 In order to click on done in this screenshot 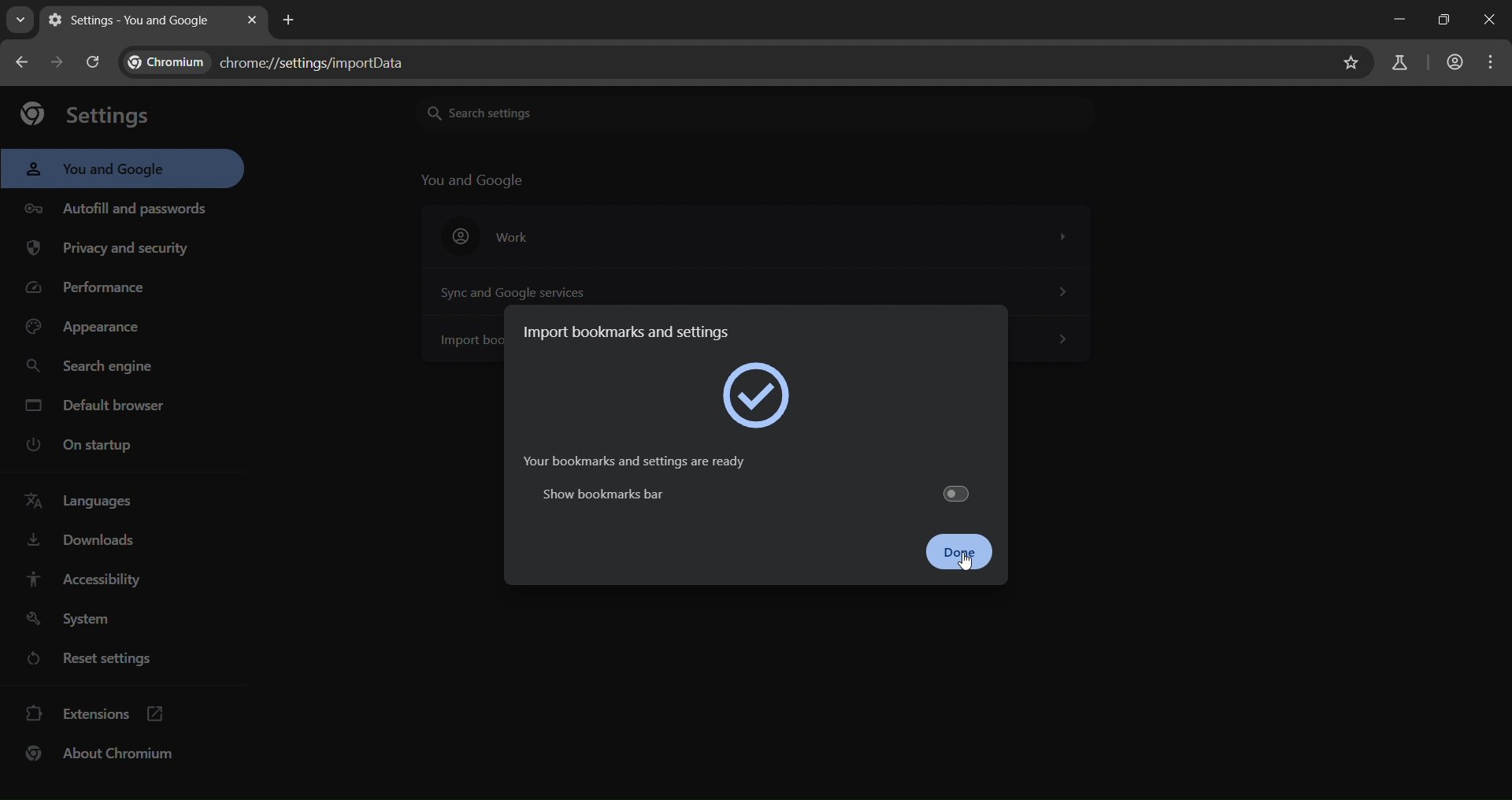, I will do `click(963, 553)`.